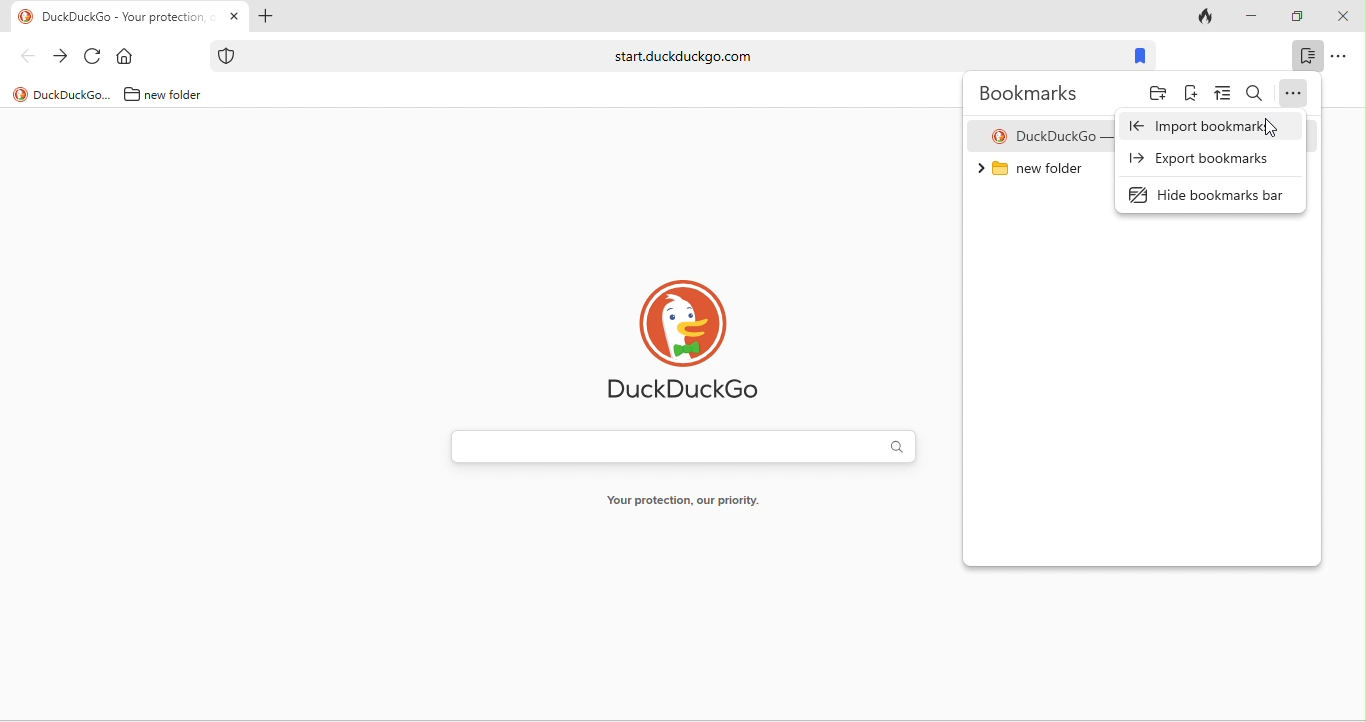 The height and width of the screenshot is (722, 1366). What do you see at coordinates (1208, 18) in the screenshot?
I see `track tab` at bounding box center [1208, 18].